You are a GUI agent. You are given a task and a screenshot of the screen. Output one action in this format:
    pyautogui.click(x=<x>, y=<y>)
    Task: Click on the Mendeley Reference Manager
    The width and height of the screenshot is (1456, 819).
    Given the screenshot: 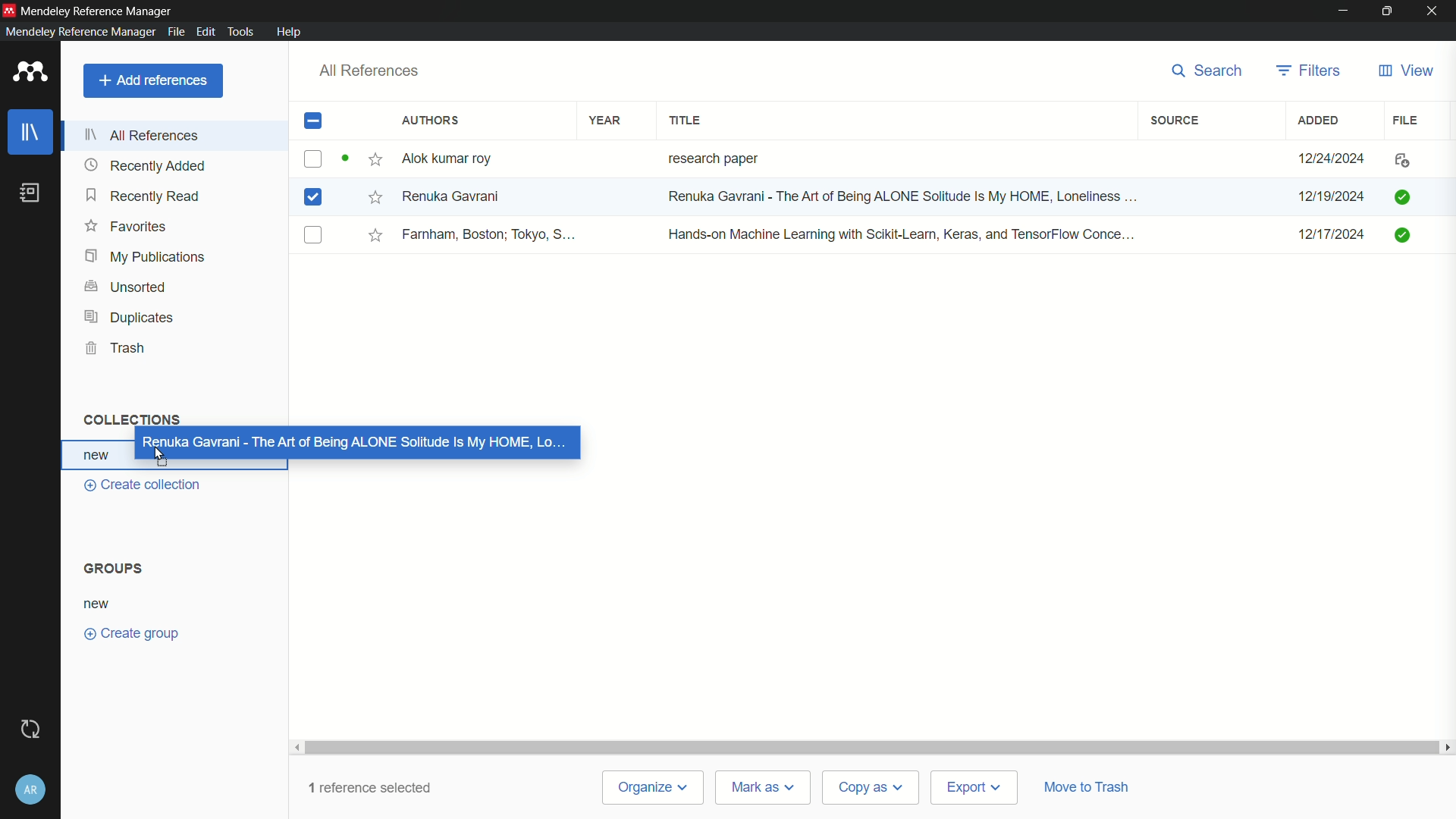 What is the action you would take?
    pyautogui.click(x=108, y=12)
    